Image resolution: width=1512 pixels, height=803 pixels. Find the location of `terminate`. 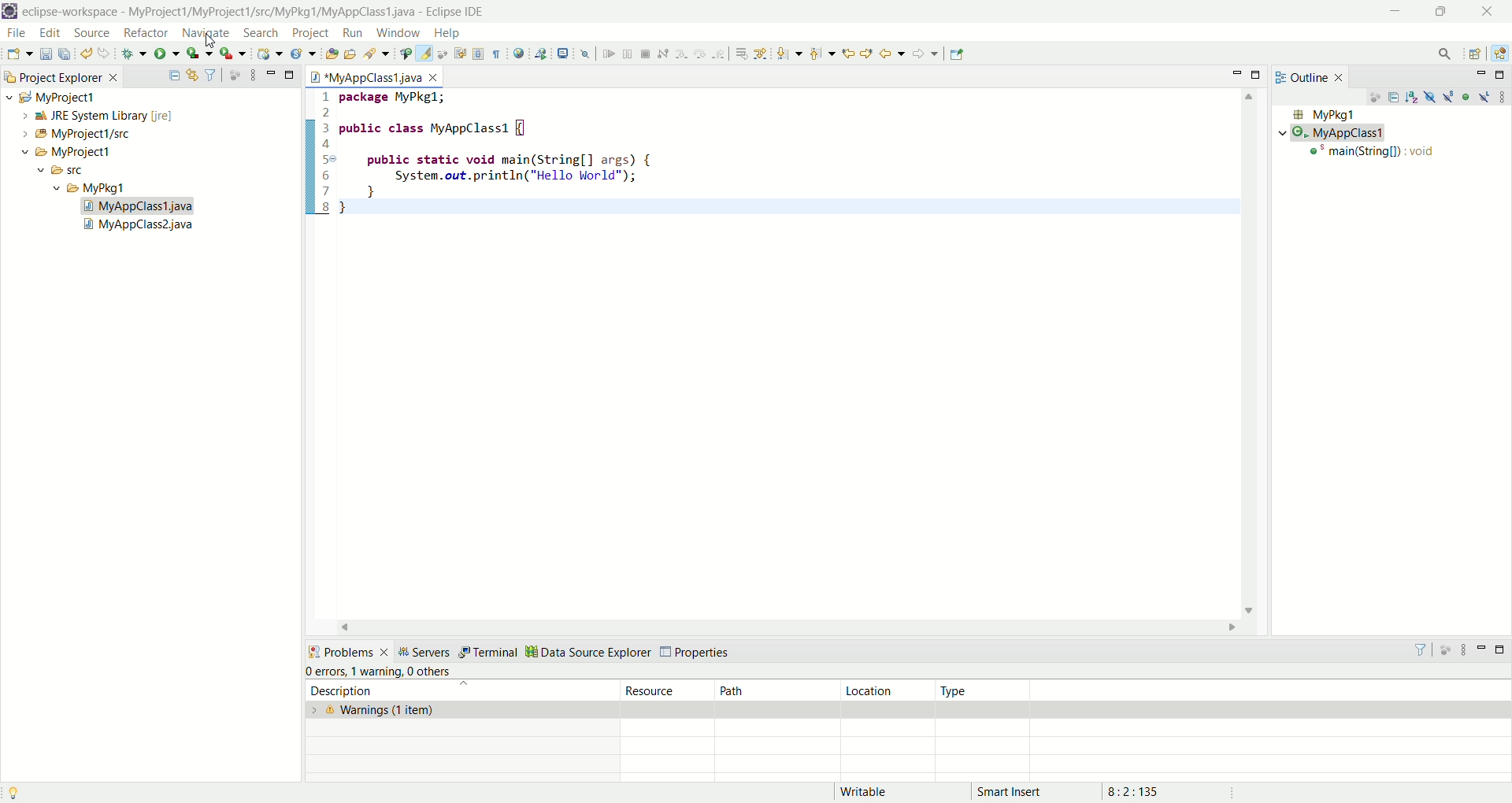

terminate is located at coordinates (646, 54).